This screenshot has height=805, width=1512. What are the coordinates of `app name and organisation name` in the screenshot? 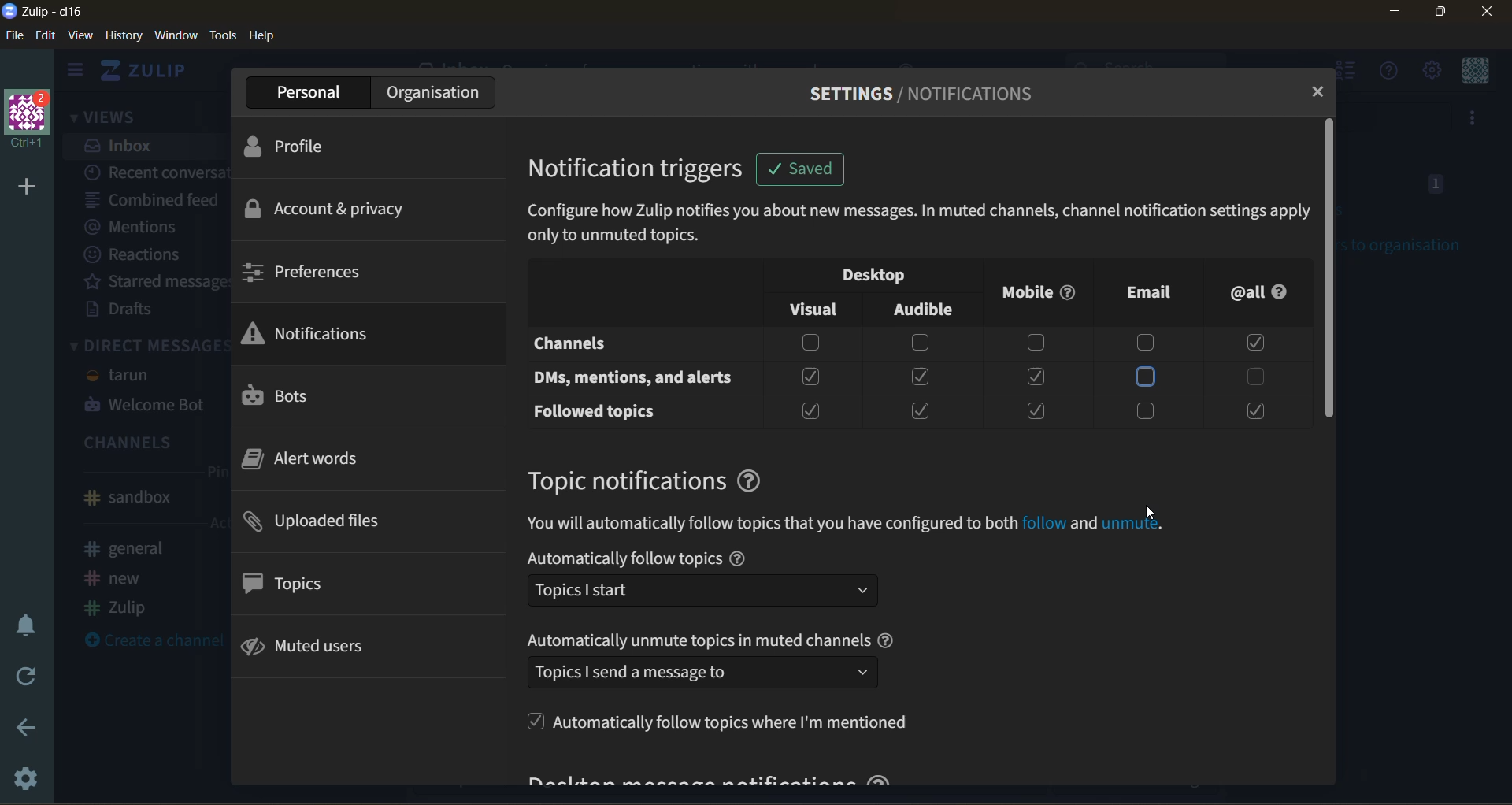 It's located at (51, 12).